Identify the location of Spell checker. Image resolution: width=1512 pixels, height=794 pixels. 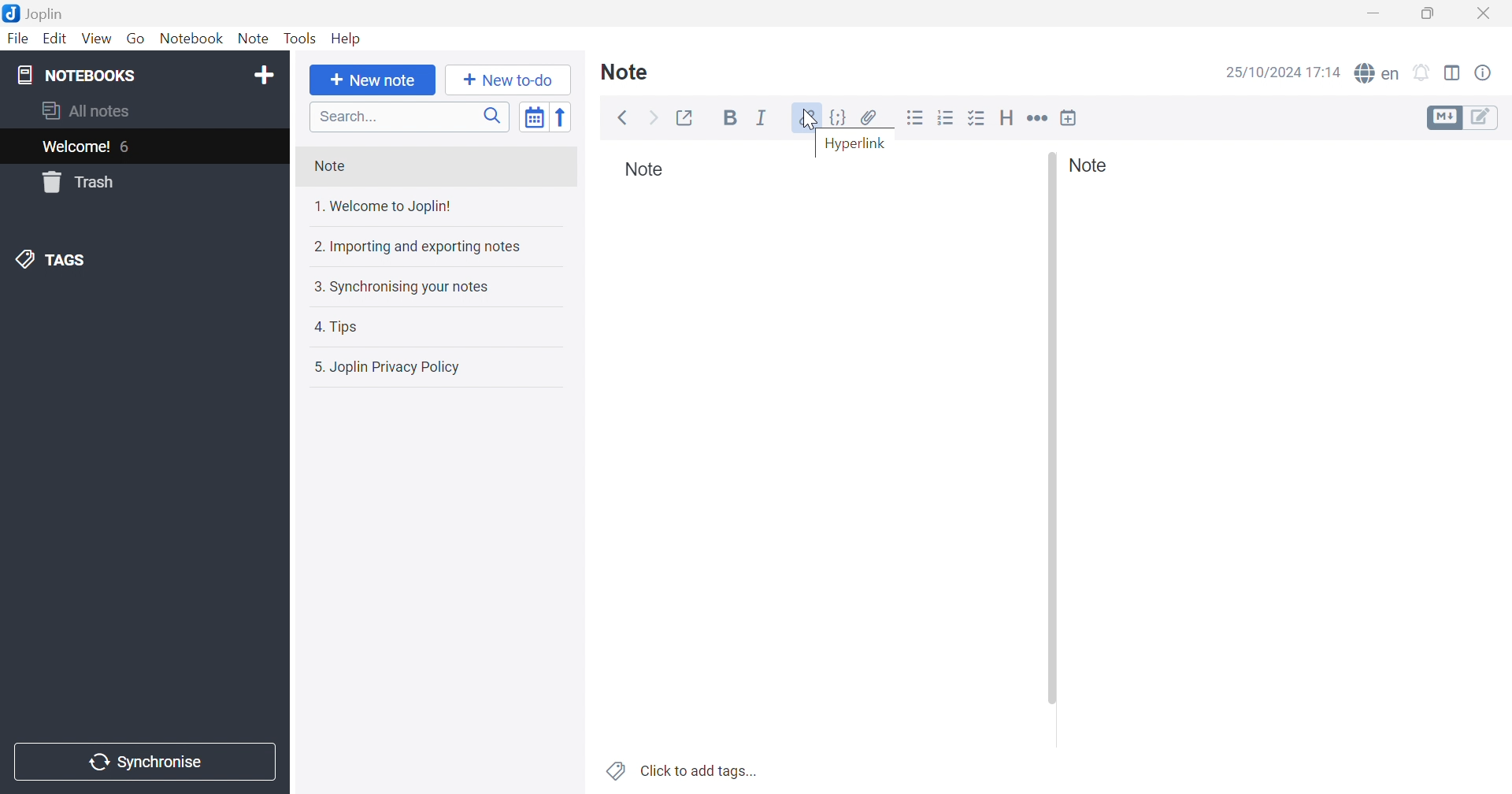
(1377, 74).